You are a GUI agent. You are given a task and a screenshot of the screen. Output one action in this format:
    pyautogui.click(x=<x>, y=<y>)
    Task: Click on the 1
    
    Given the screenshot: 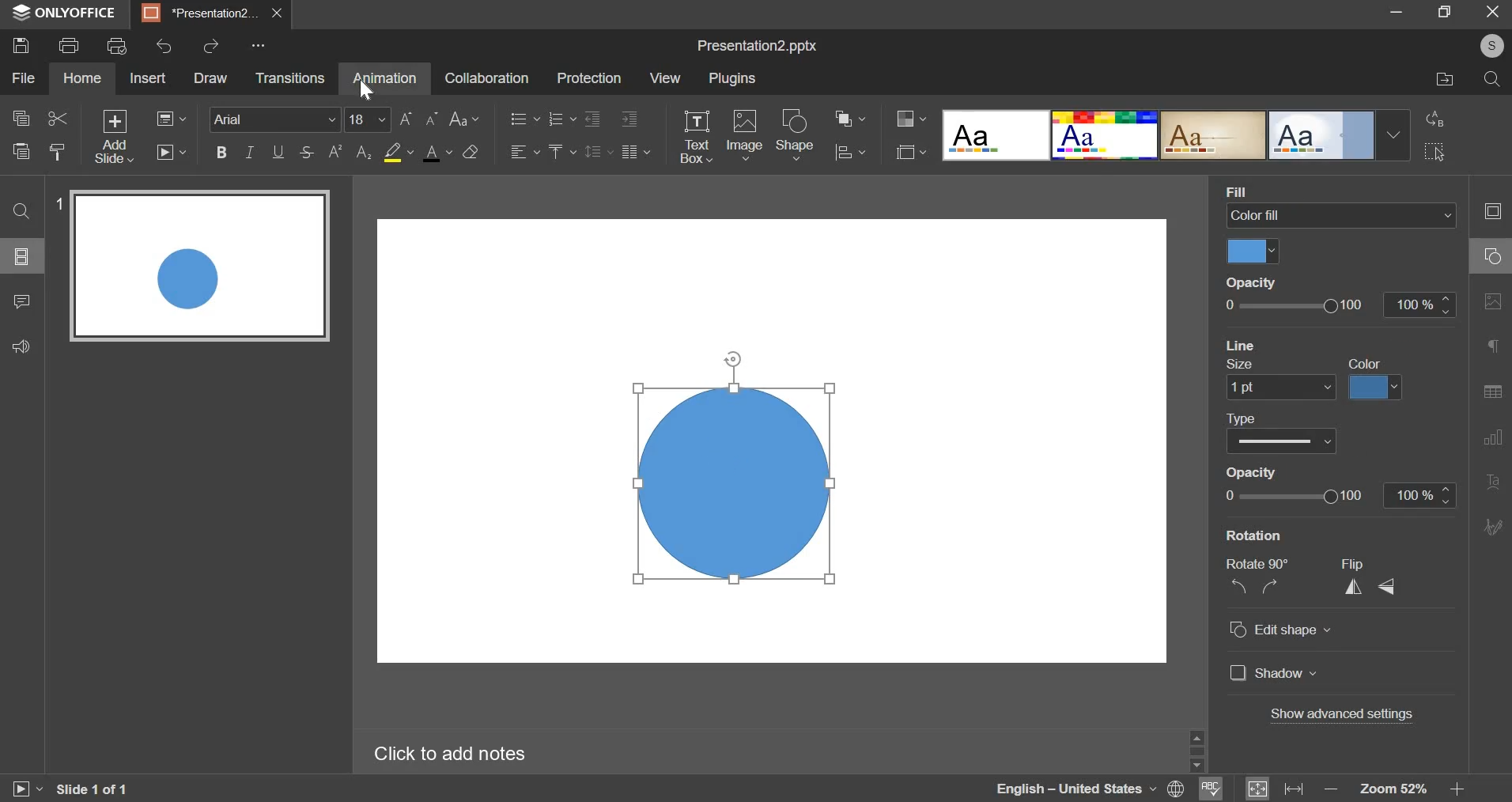 What is the action you would take?
    pyautogui.click(x=61, y=202)
    